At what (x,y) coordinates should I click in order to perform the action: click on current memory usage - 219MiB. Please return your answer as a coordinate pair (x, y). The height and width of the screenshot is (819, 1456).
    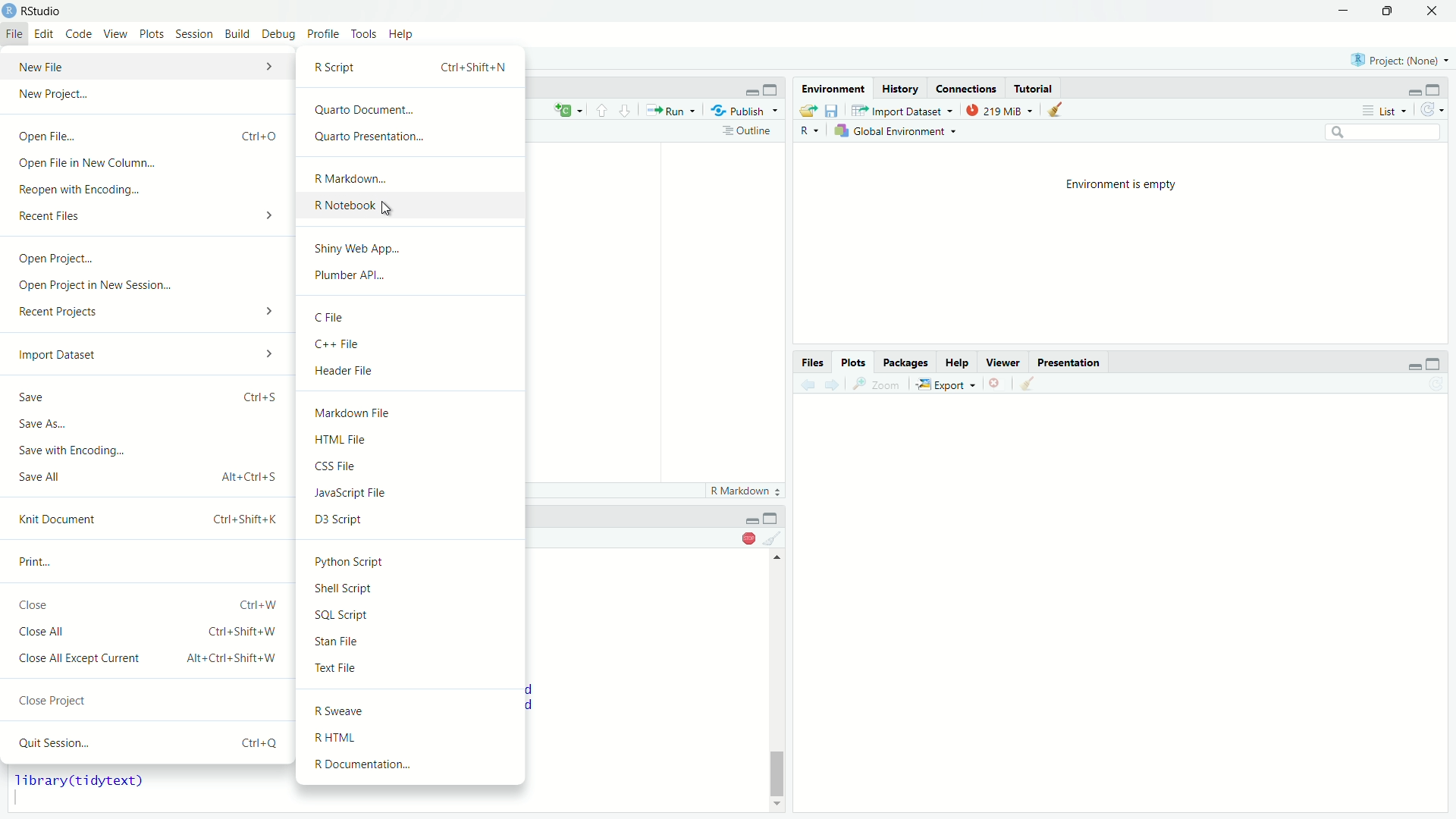
    Looking at the image, I should click on (1001, 111).